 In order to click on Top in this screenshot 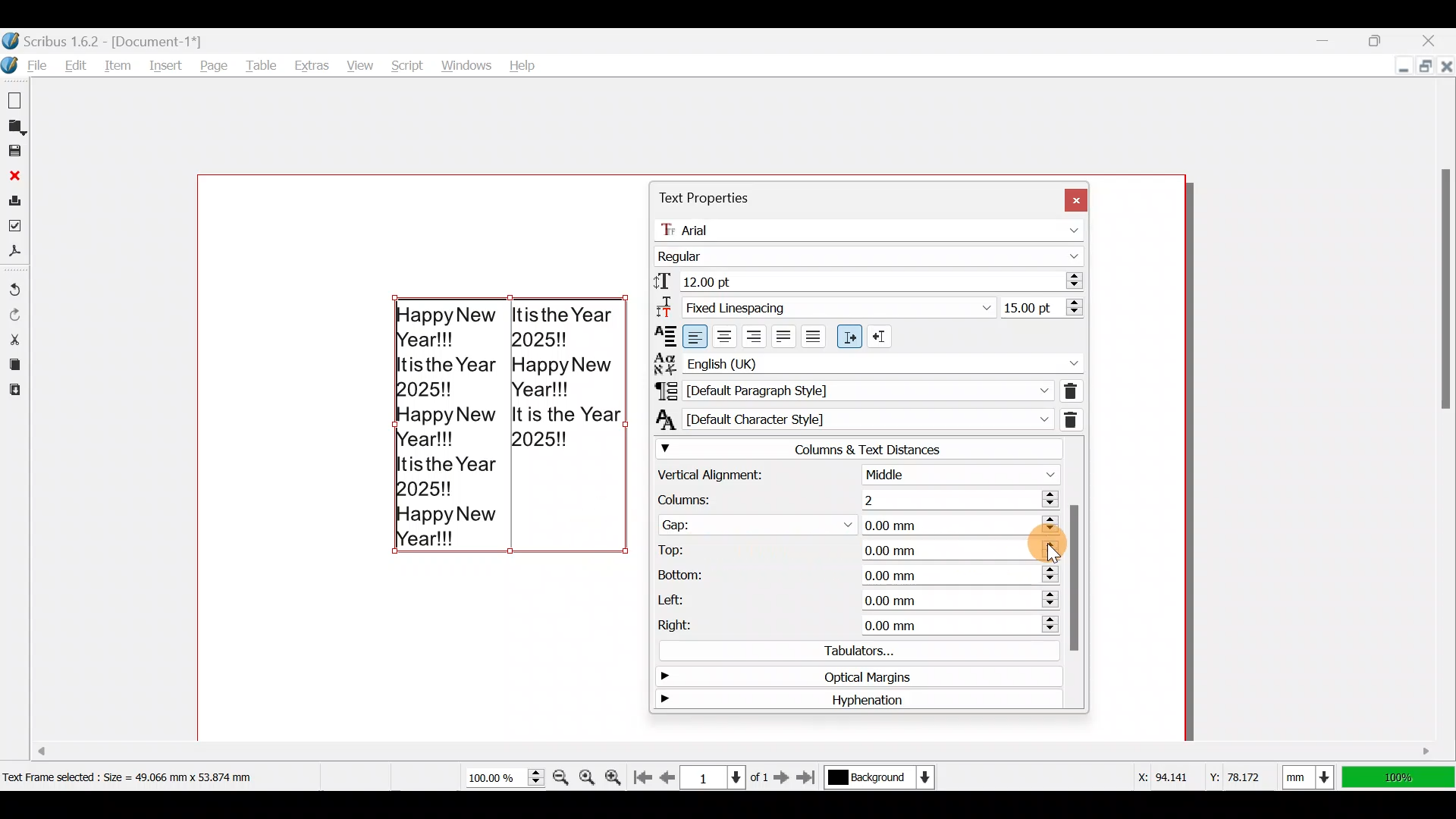, I will do `click(820, 547)`.